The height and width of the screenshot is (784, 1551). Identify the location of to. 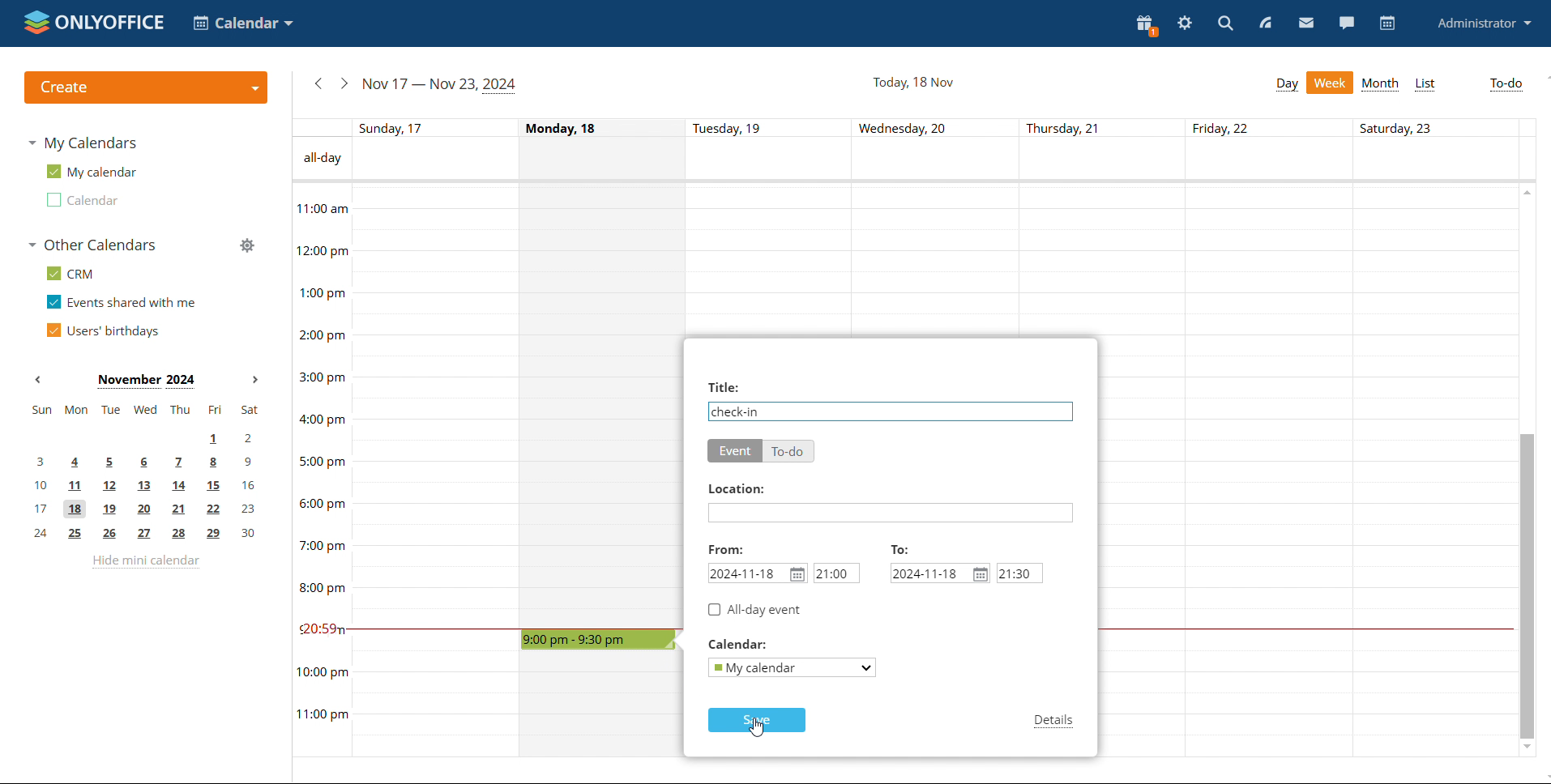
(900, 548).